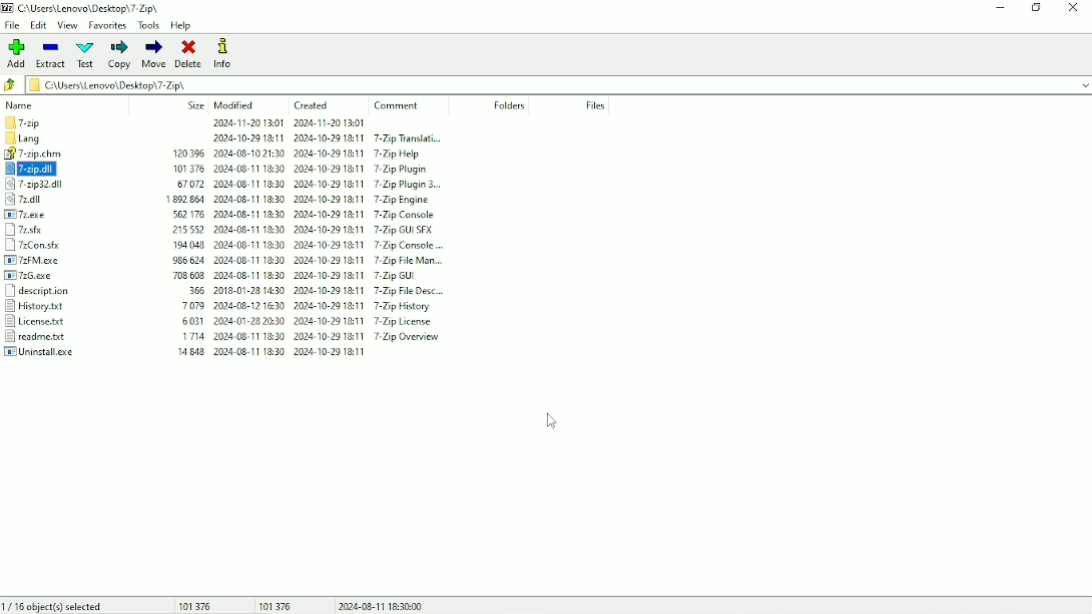  I want to click on Date and Time, so click(381, 605).